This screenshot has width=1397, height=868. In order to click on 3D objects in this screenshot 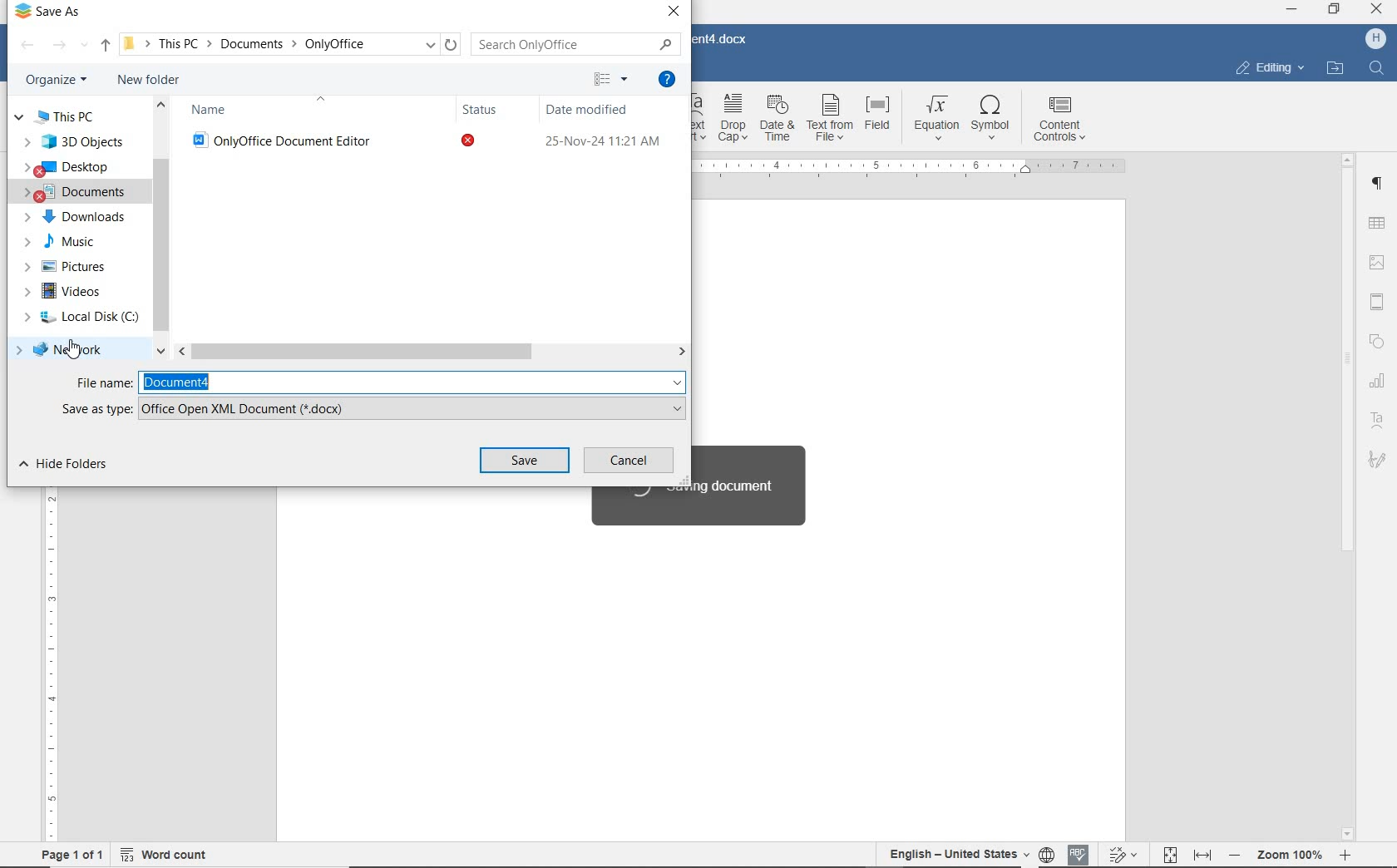, I will do `click(71, 142)`.